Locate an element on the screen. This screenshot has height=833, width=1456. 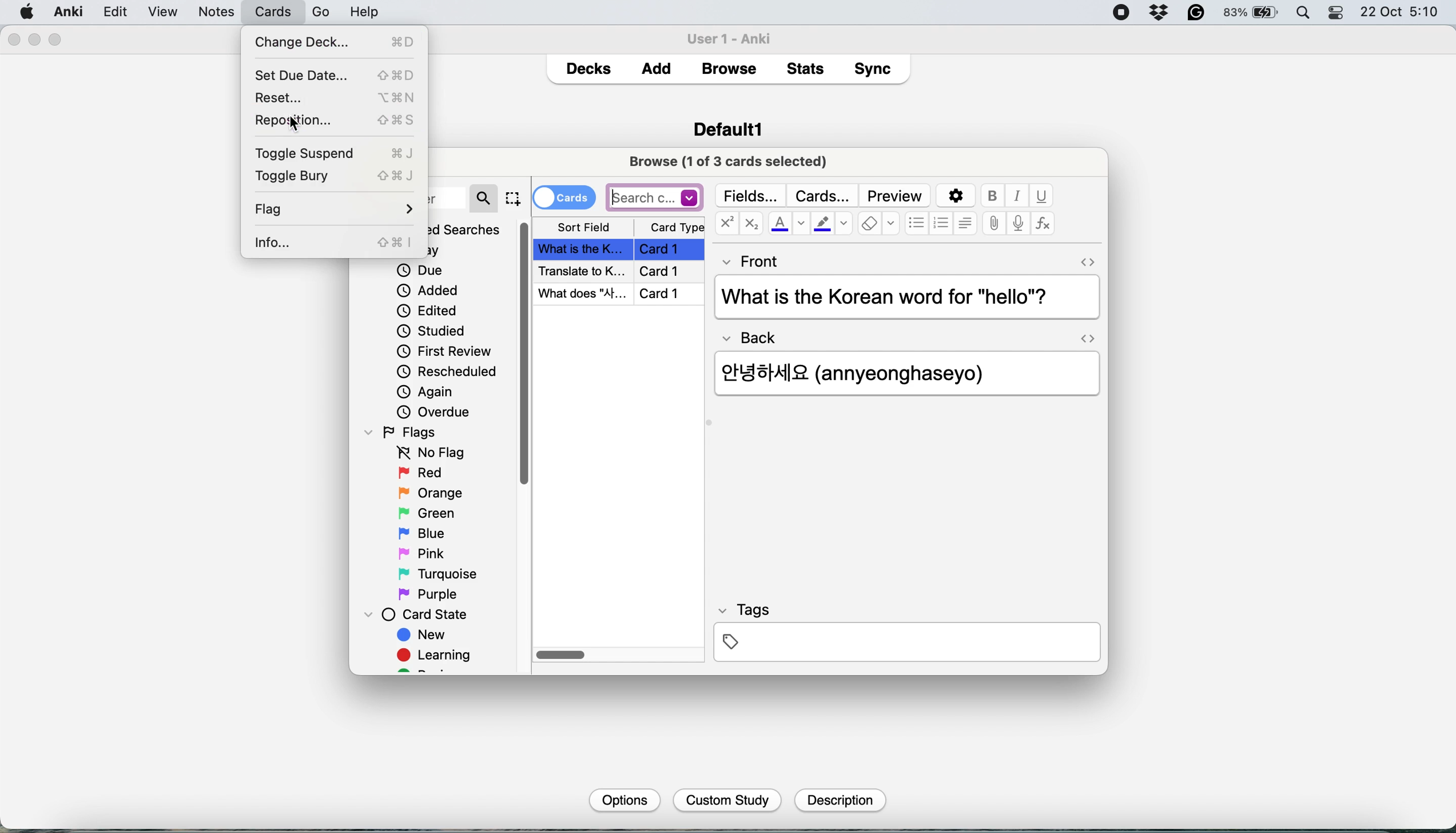
reposition is located at coordinates (337, 119).